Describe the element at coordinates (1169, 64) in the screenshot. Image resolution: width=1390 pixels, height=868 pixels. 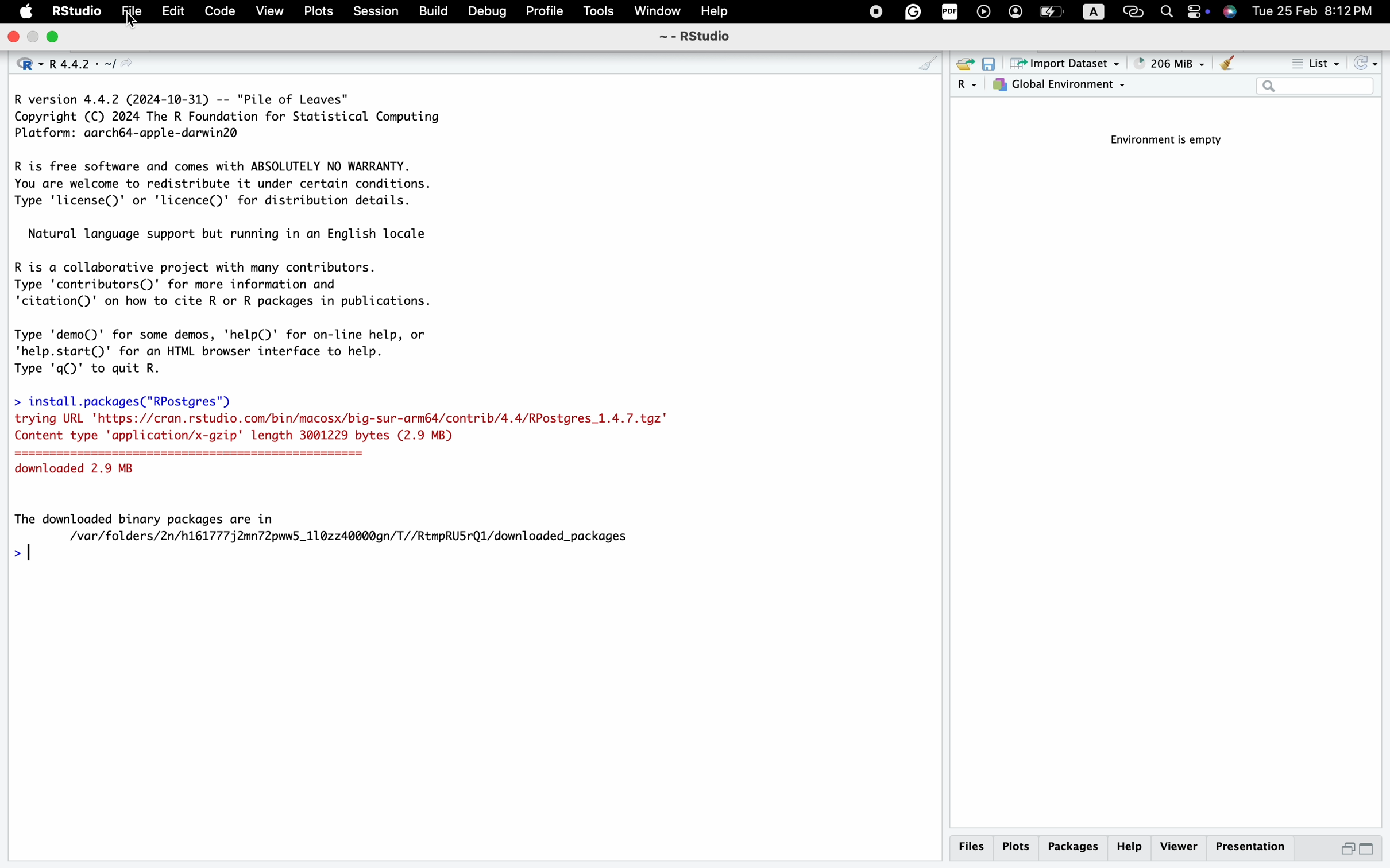
I see `148 MiB` at that location.